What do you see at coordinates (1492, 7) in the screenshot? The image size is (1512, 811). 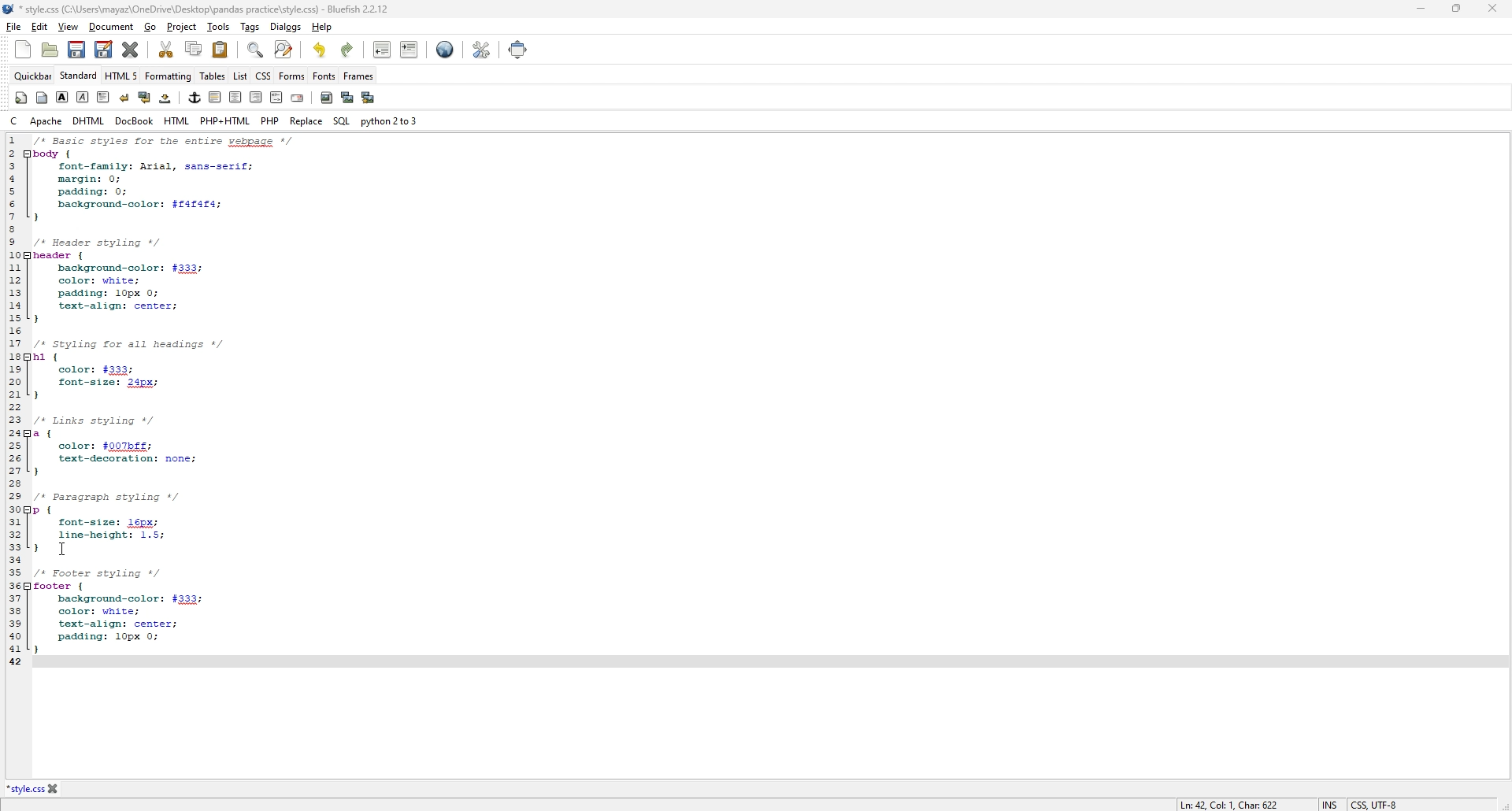 I see `close` at bounding box center [1492, 7].